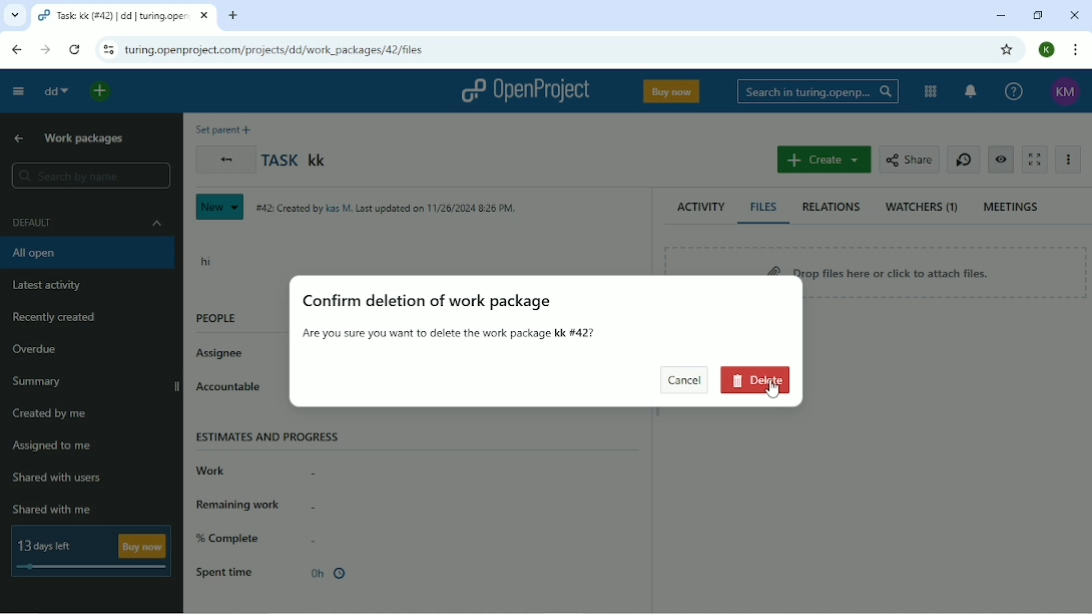  Describe the element at coordinates (702, 208) in the screenshot. I see `Activity` at that location.